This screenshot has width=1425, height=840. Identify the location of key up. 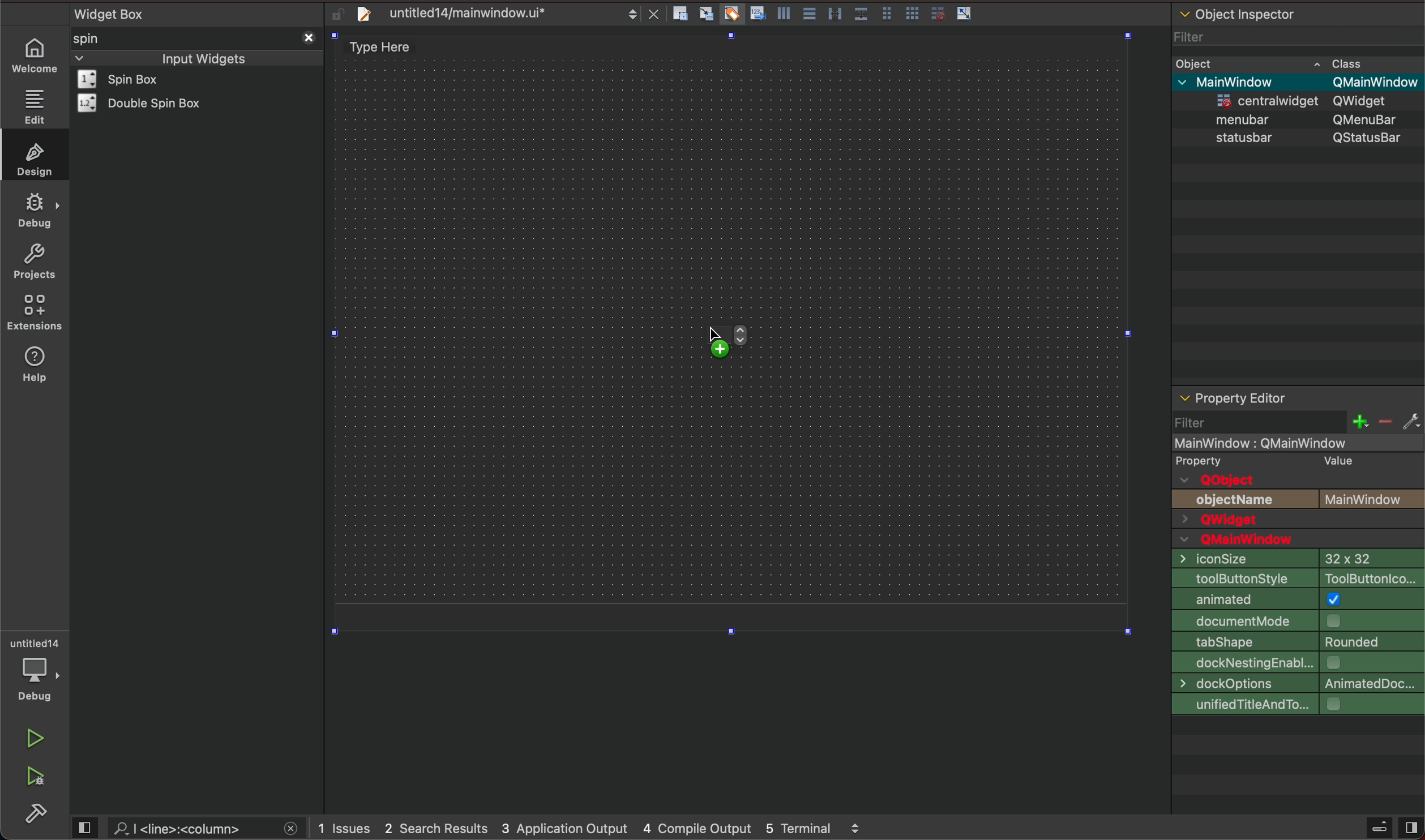
(742, 341).